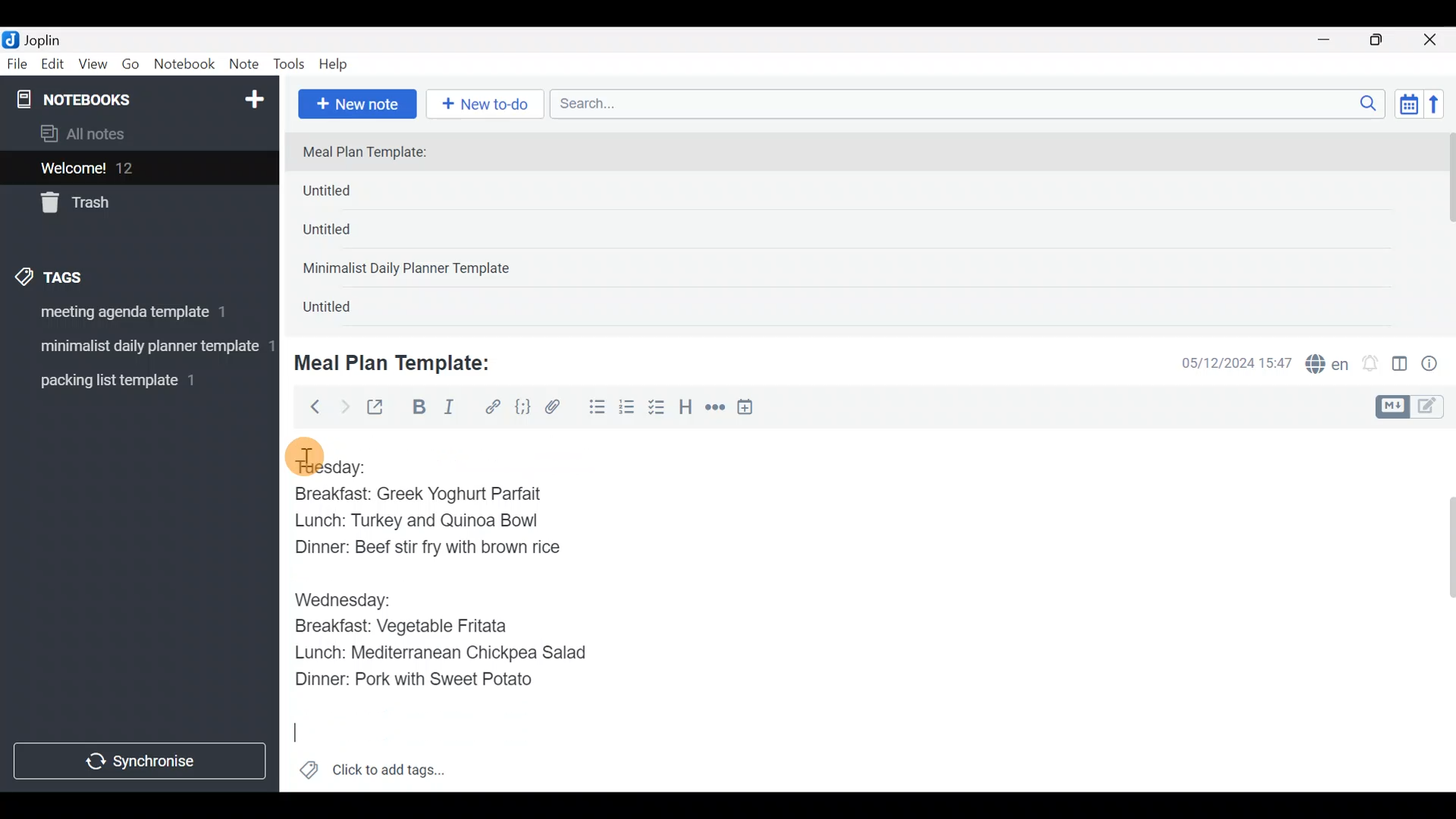 The height and width of the screenshot is (819, 1456). Describe the element at coordinates (85, 275) in the screenshot. I see `Tags` at that location.